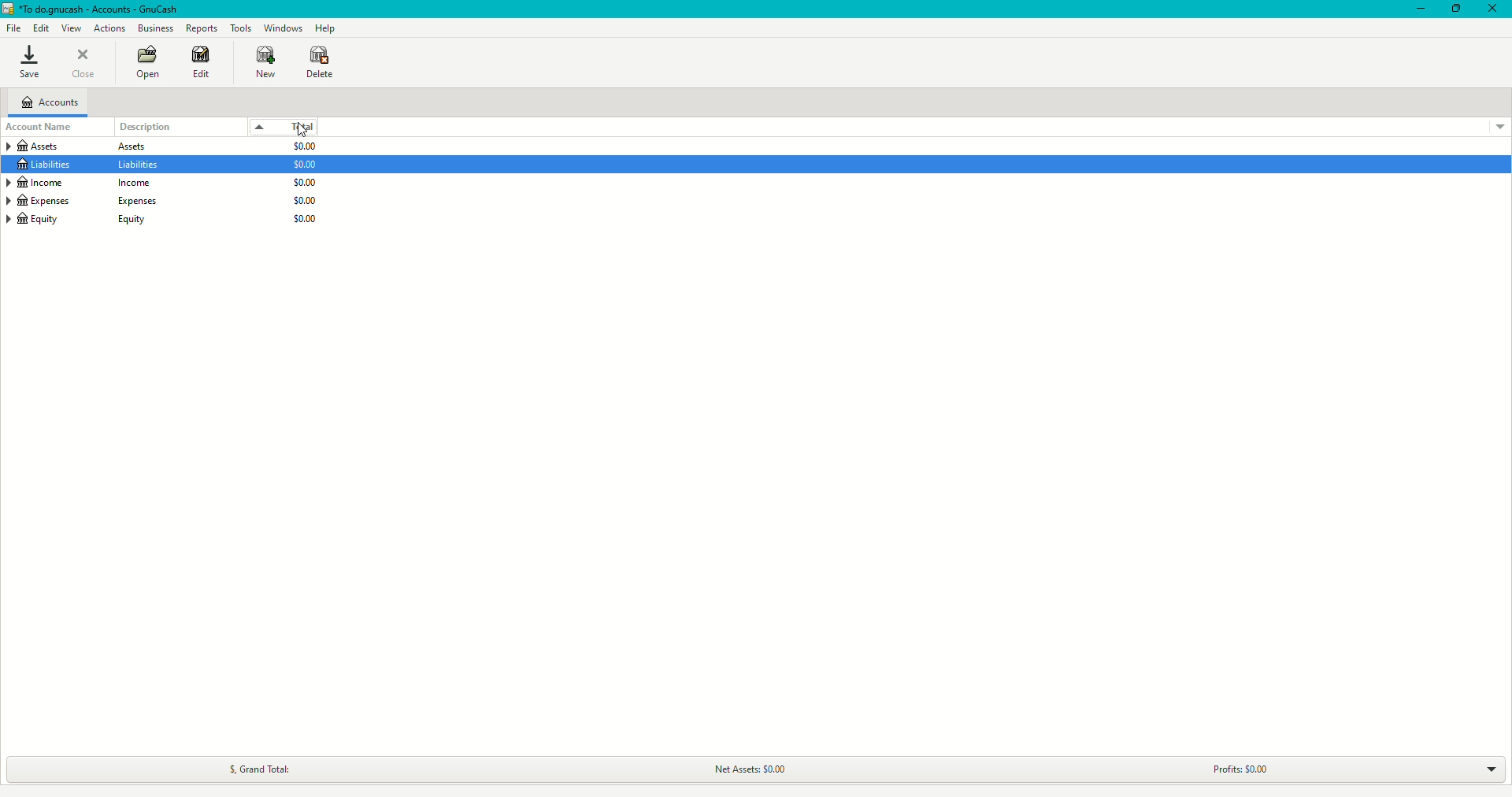  Describe the element at coordinates (51, 100) in the screenshot. I see `Accounts` at that location.